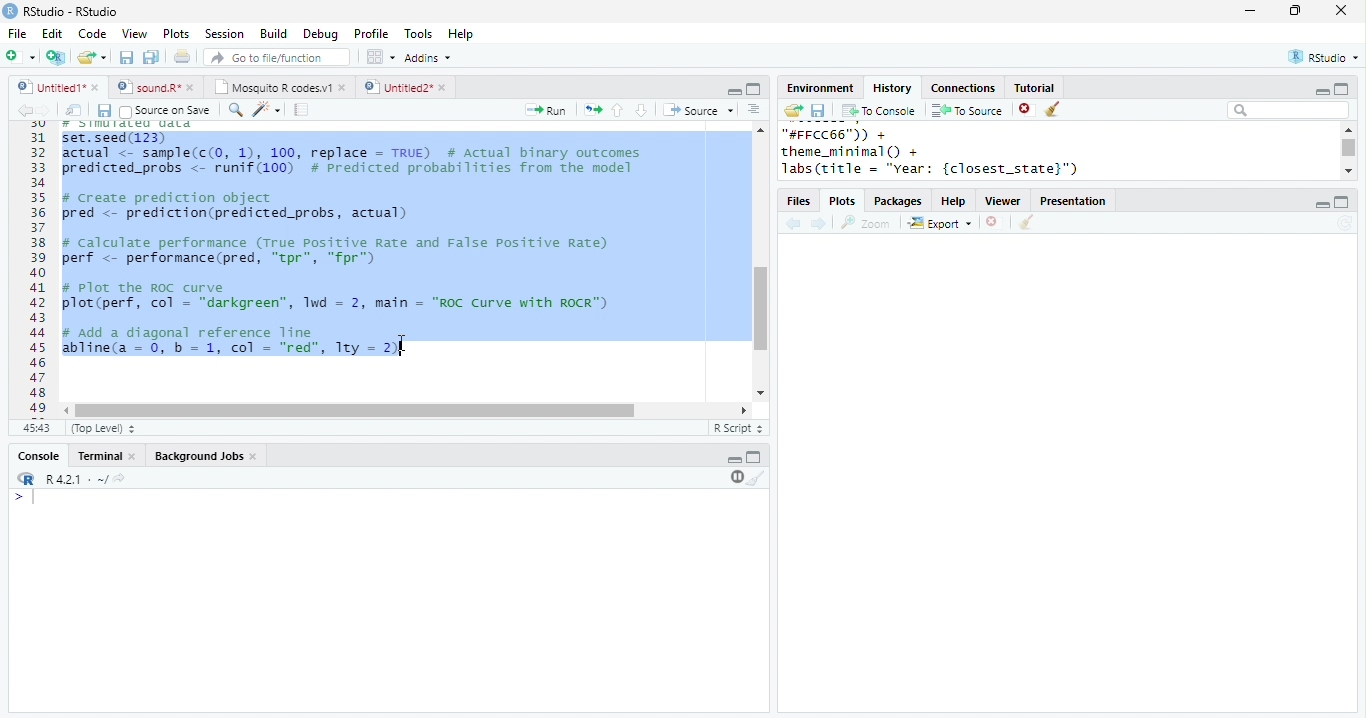 This screenshot has width=1366, height=718. Describe the element at coordinates (800, 202) in the screenshot. I see `files` at that location.